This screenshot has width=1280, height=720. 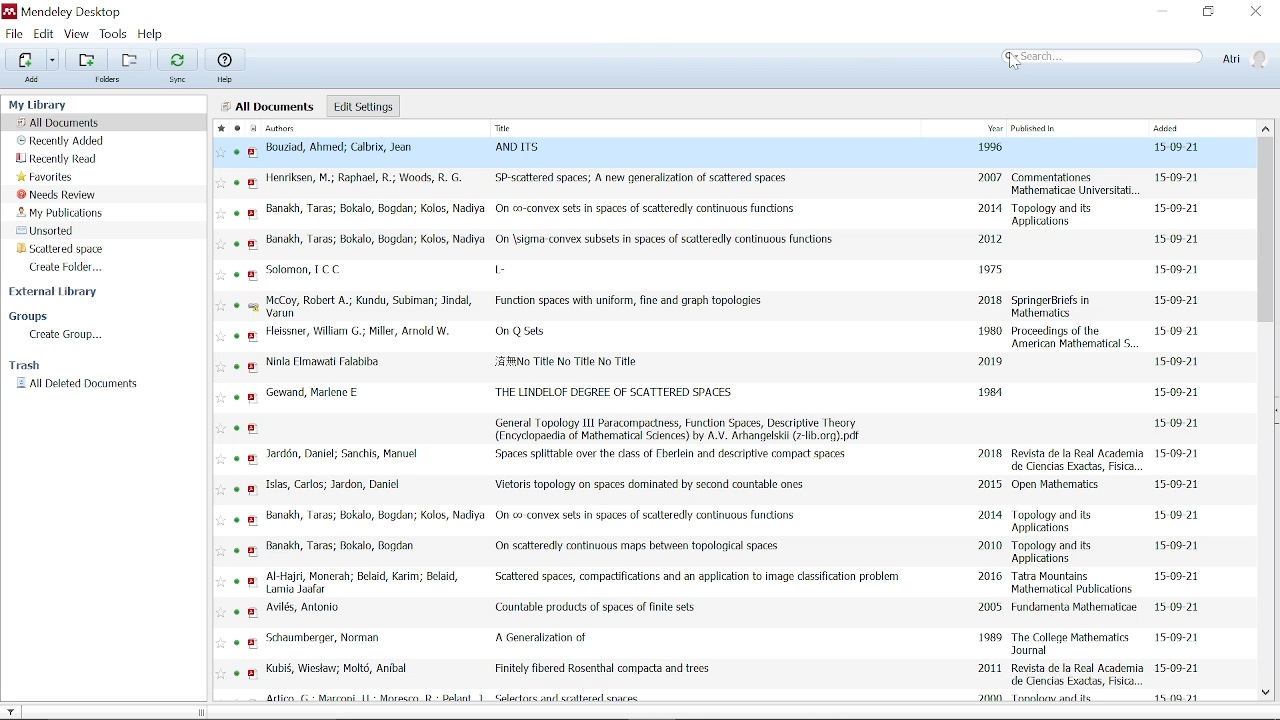 What do you see at coordinates (221, 643) in the screenshot?
I see `Add to favorite` at bounding box center [221, 643].